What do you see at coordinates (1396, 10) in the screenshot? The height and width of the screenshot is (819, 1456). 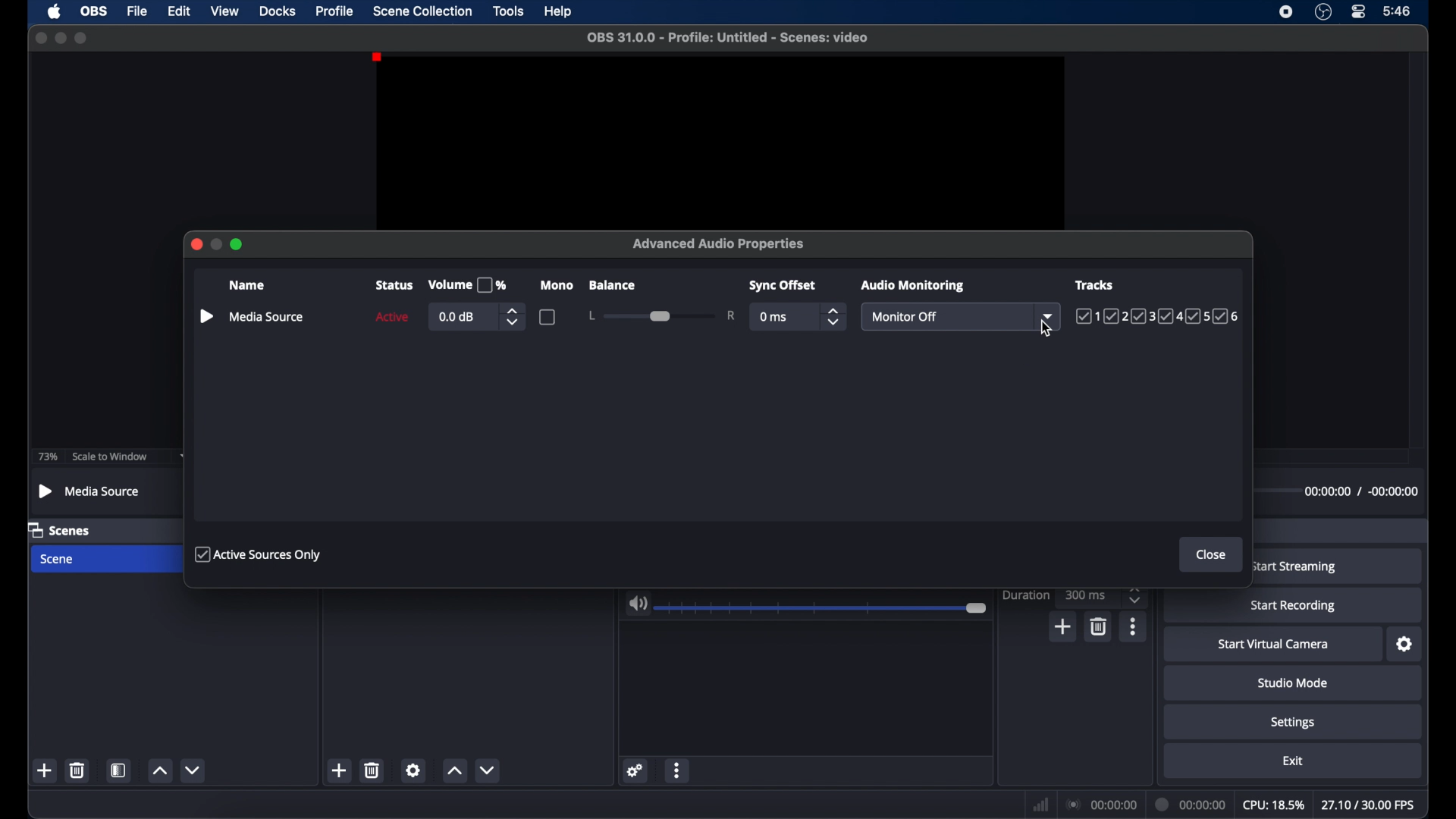 I see `time` at bounding box center [1396, 10].